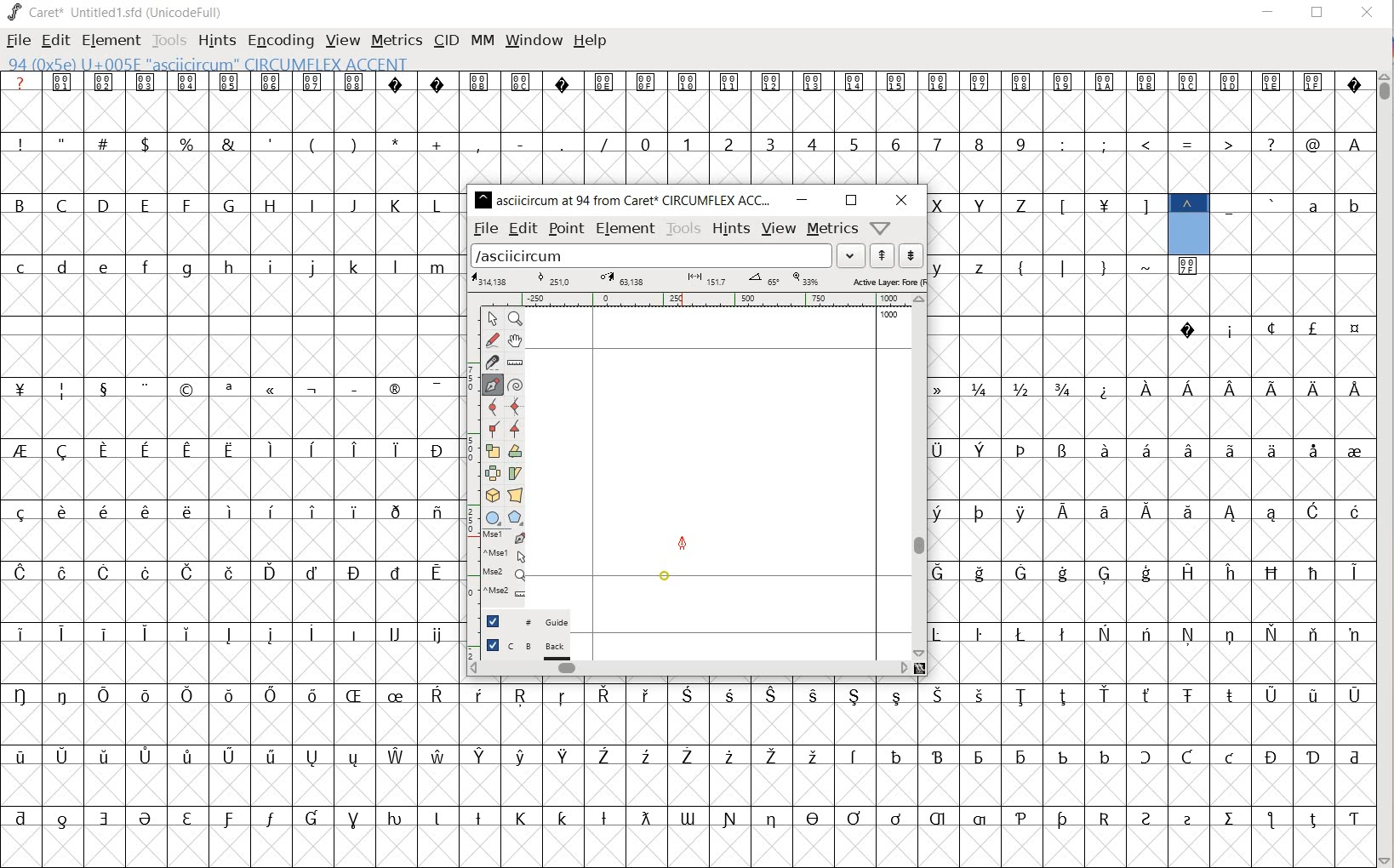 The width and height of the screenshot is (1394, 868). I want to click on WINDOW, so click(532, 39).